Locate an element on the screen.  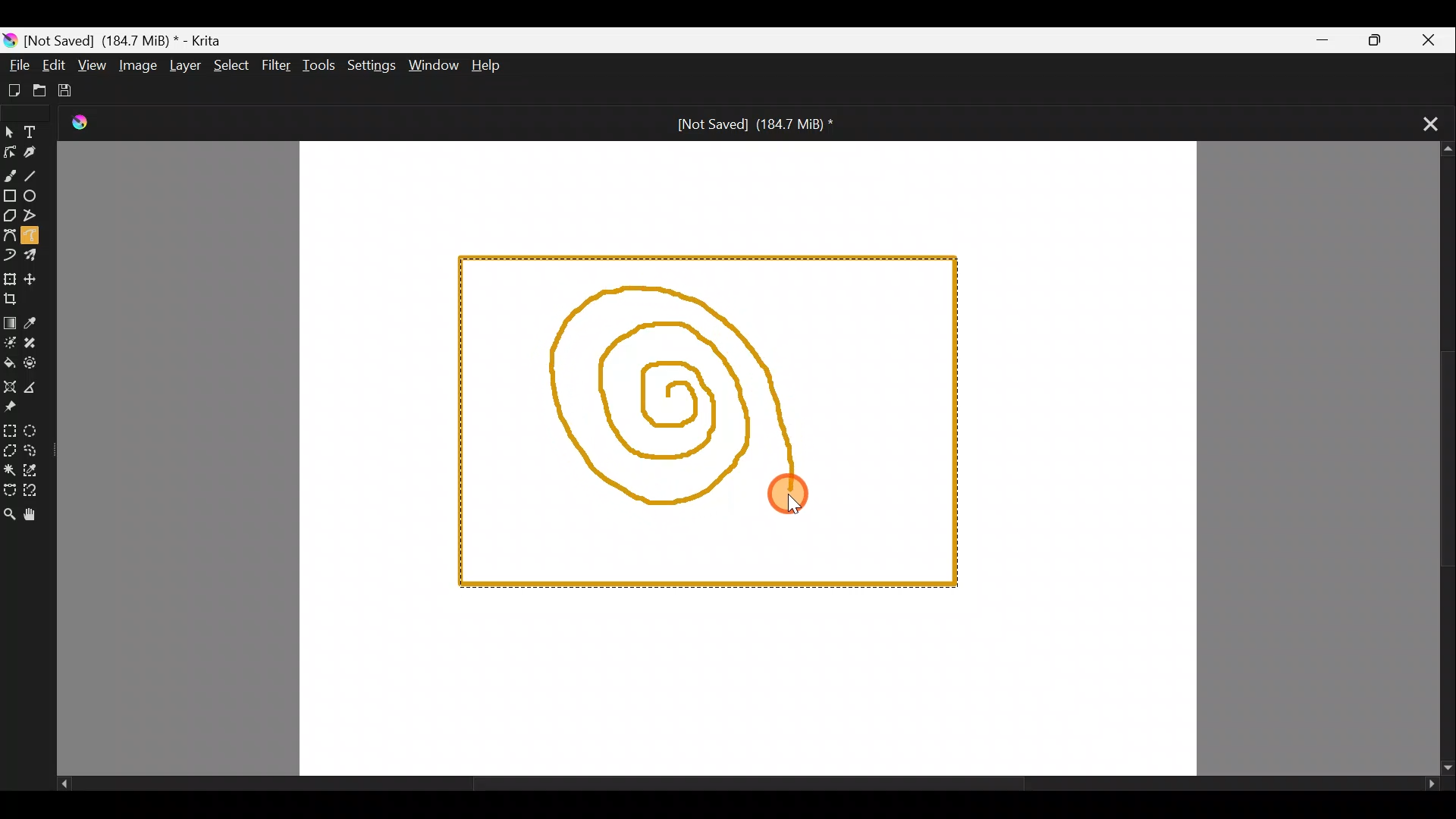
Smart patch tool is located at coordinates (33, 343).